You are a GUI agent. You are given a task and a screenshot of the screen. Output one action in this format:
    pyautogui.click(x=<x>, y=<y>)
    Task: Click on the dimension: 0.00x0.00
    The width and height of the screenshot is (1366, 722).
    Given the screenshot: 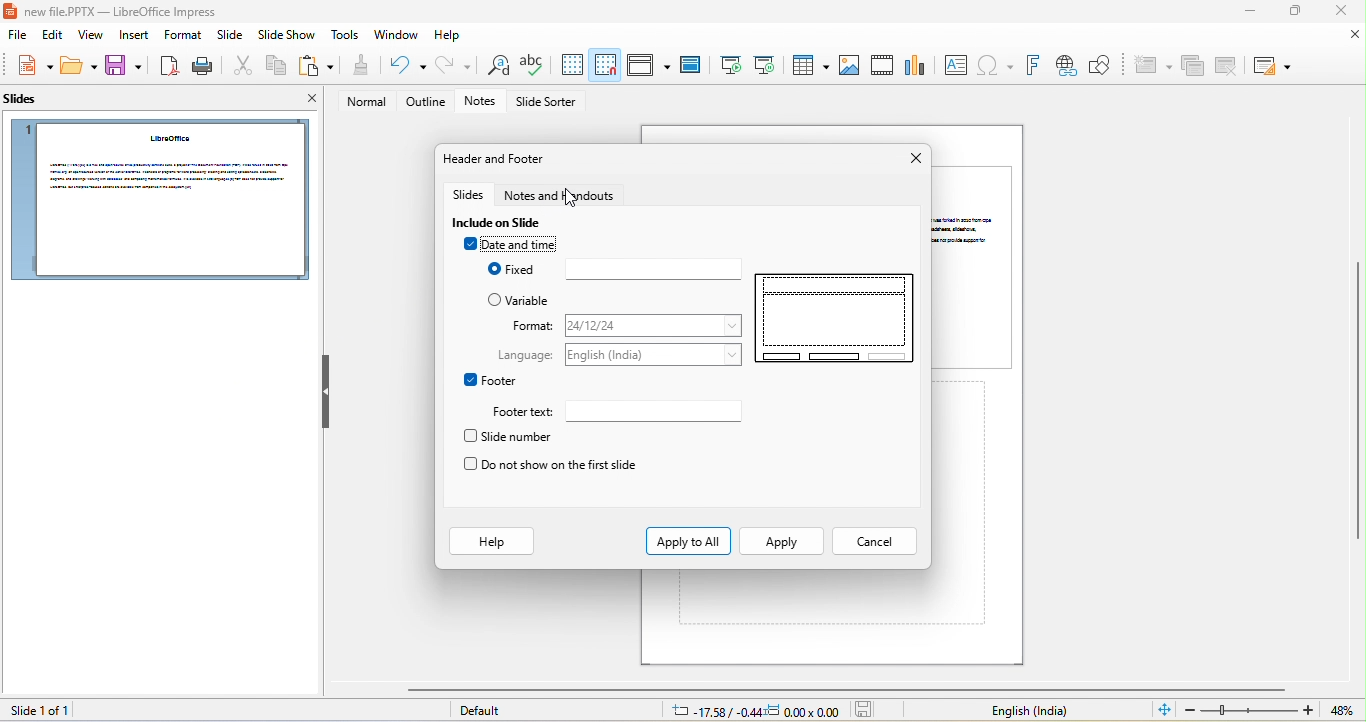 What is the action you would take?
    pyautogui.click(x=803, y=711)
    